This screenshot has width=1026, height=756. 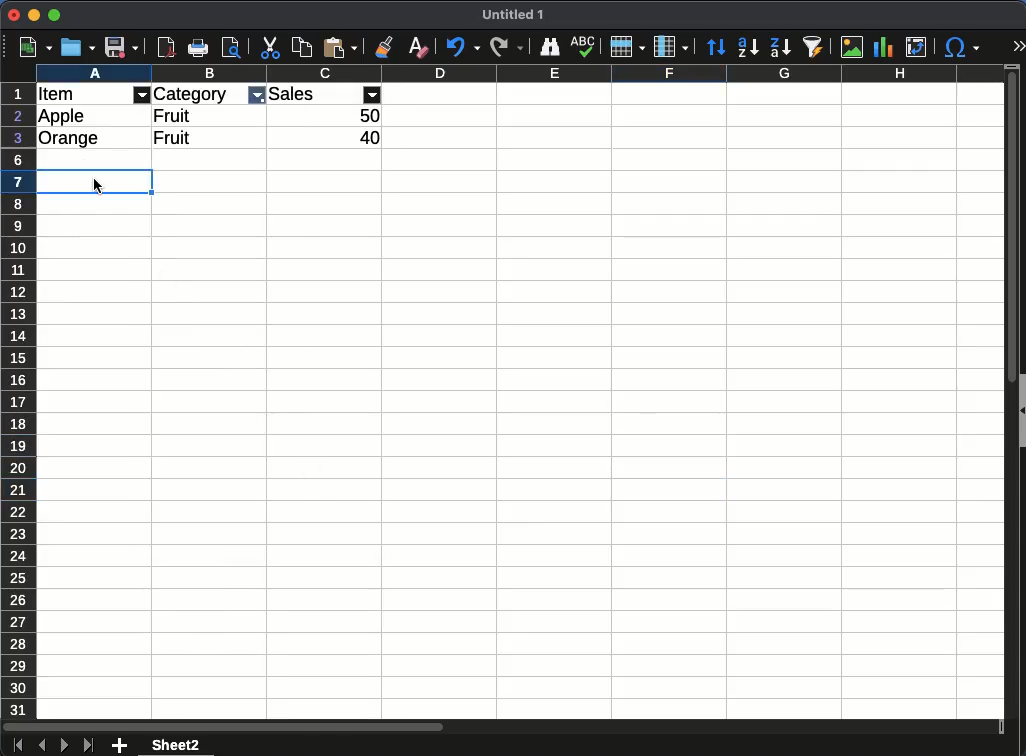 I want to click on chart, so click(x=887, y=47).